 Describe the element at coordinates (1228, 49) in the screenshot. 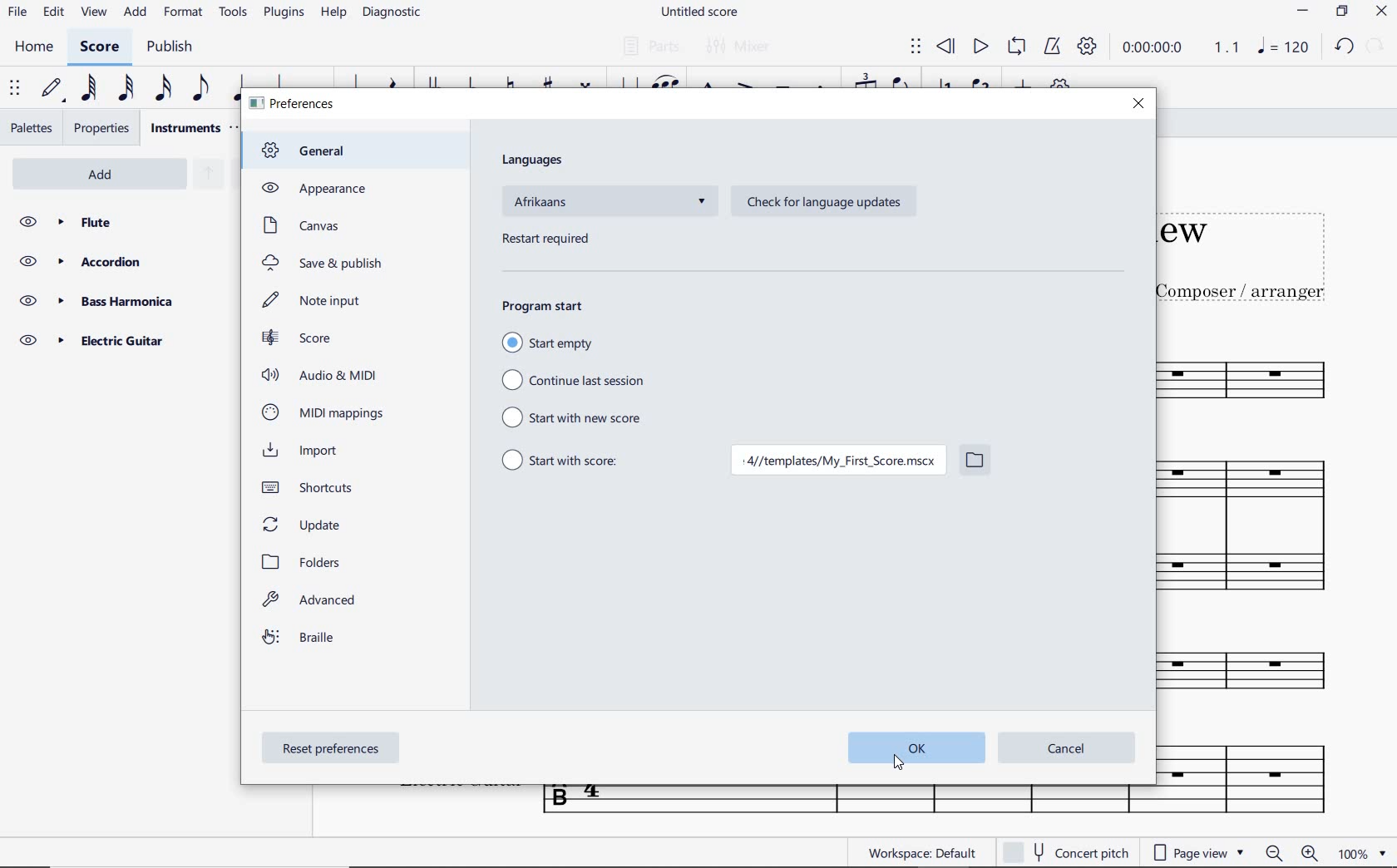

I see `Playback speed` at that location.